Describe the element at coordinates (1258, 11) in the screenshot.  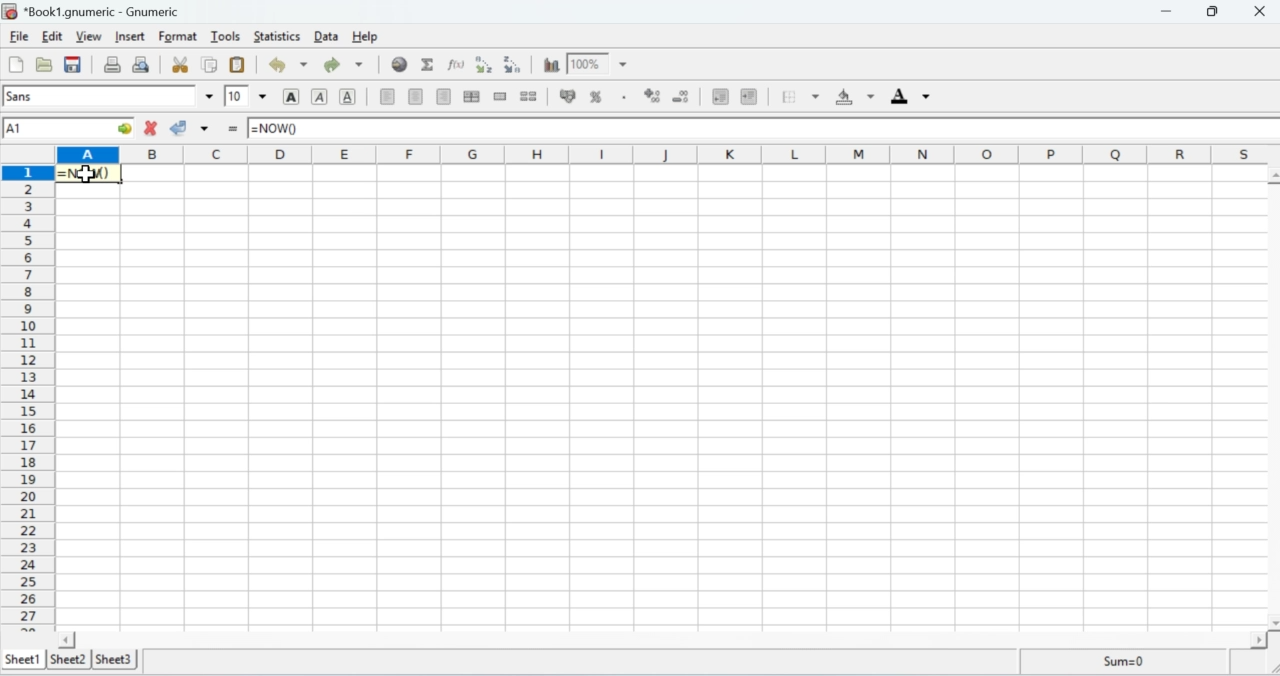
I see `Close` at that location.